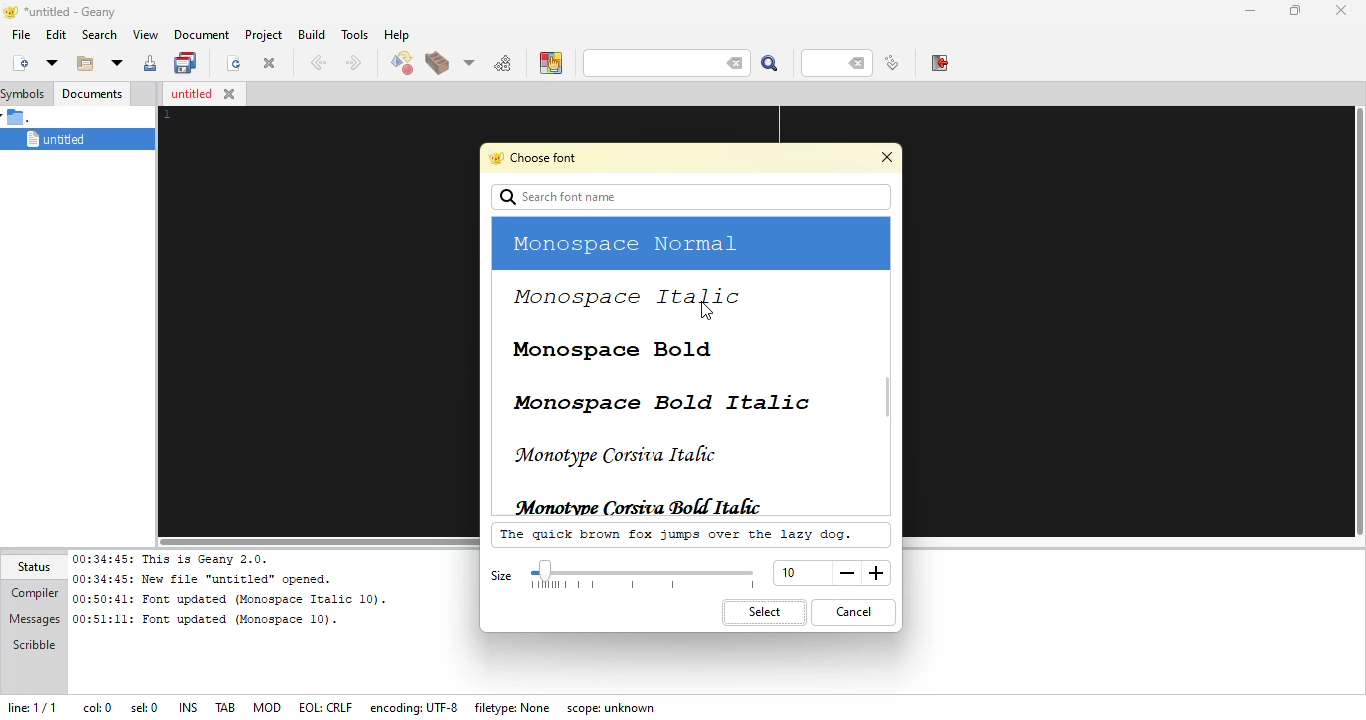 This screenshot has width=1366, height=720. I want to click on symbols, so click(25, 93).